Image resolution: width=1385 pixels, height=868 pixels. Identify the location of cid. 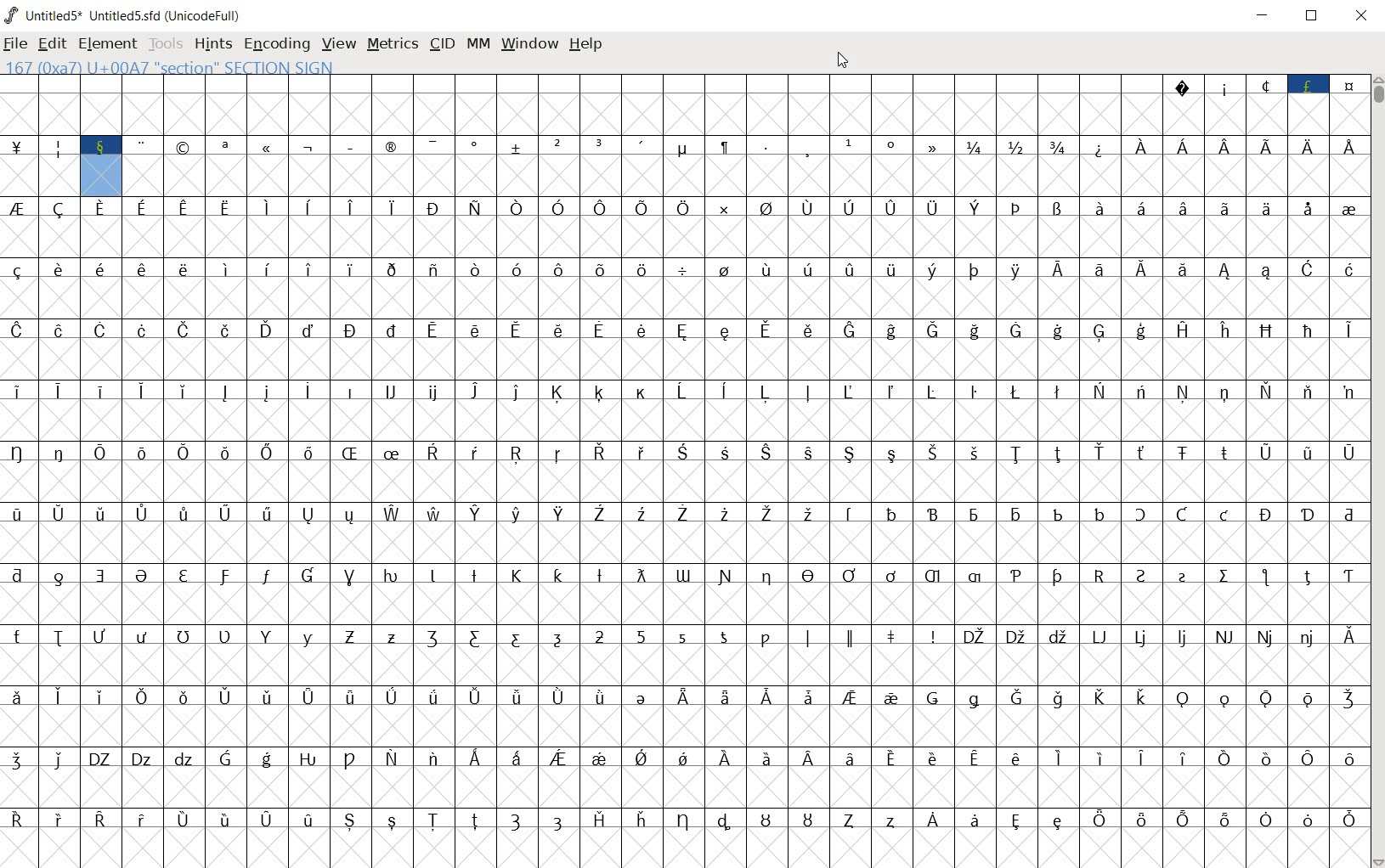
(442, 42).